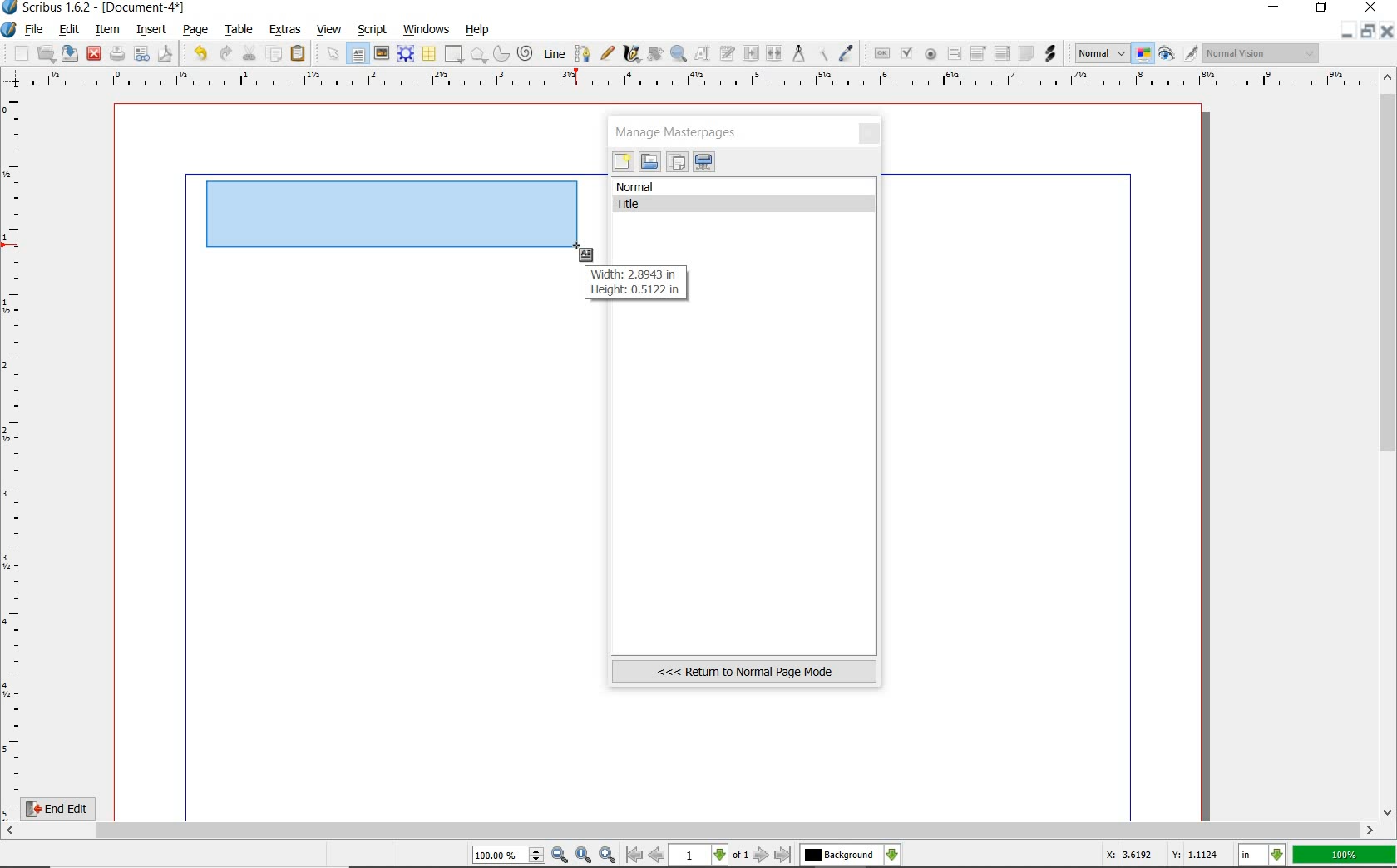 The height and width of the screenshot is (868, 1397). Describe the element at coordinates (196, 28) in the screenshot. I see `page` at that location.